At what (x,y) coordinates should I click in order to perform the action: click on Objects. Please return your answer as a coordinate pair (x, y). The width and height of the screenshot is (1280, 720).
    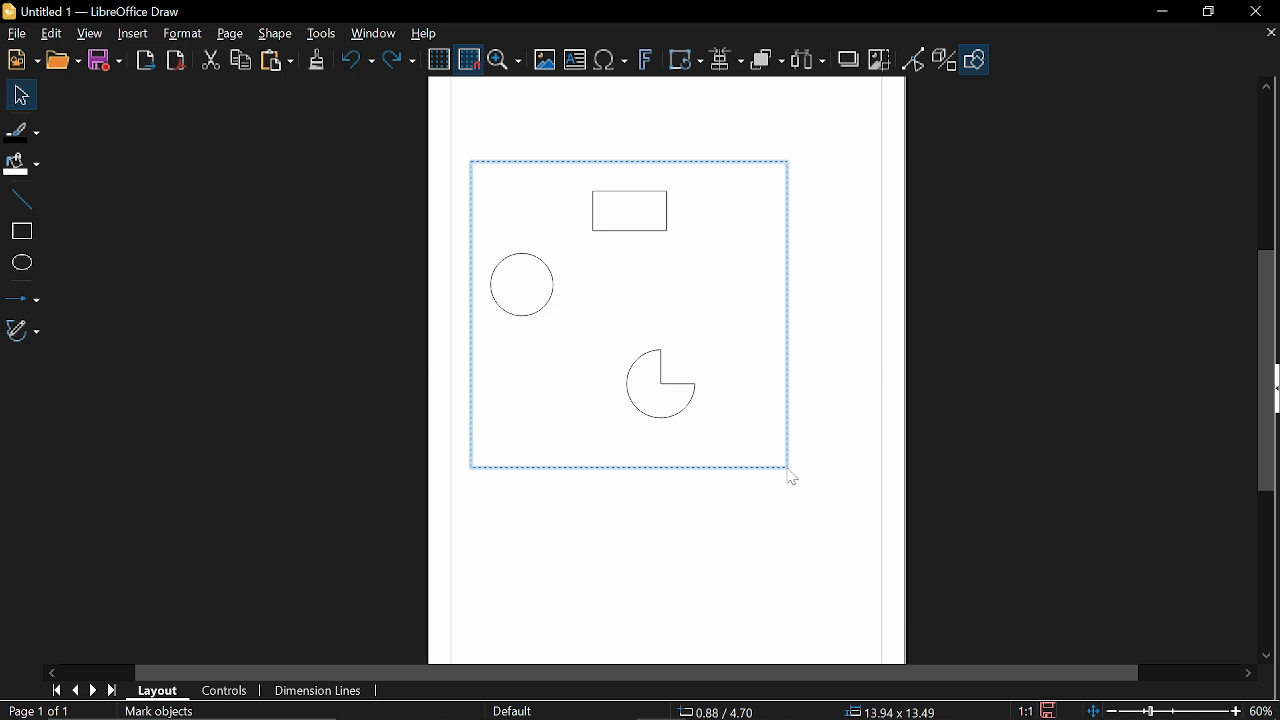
    Looking at the image, I should click on (766, 61).